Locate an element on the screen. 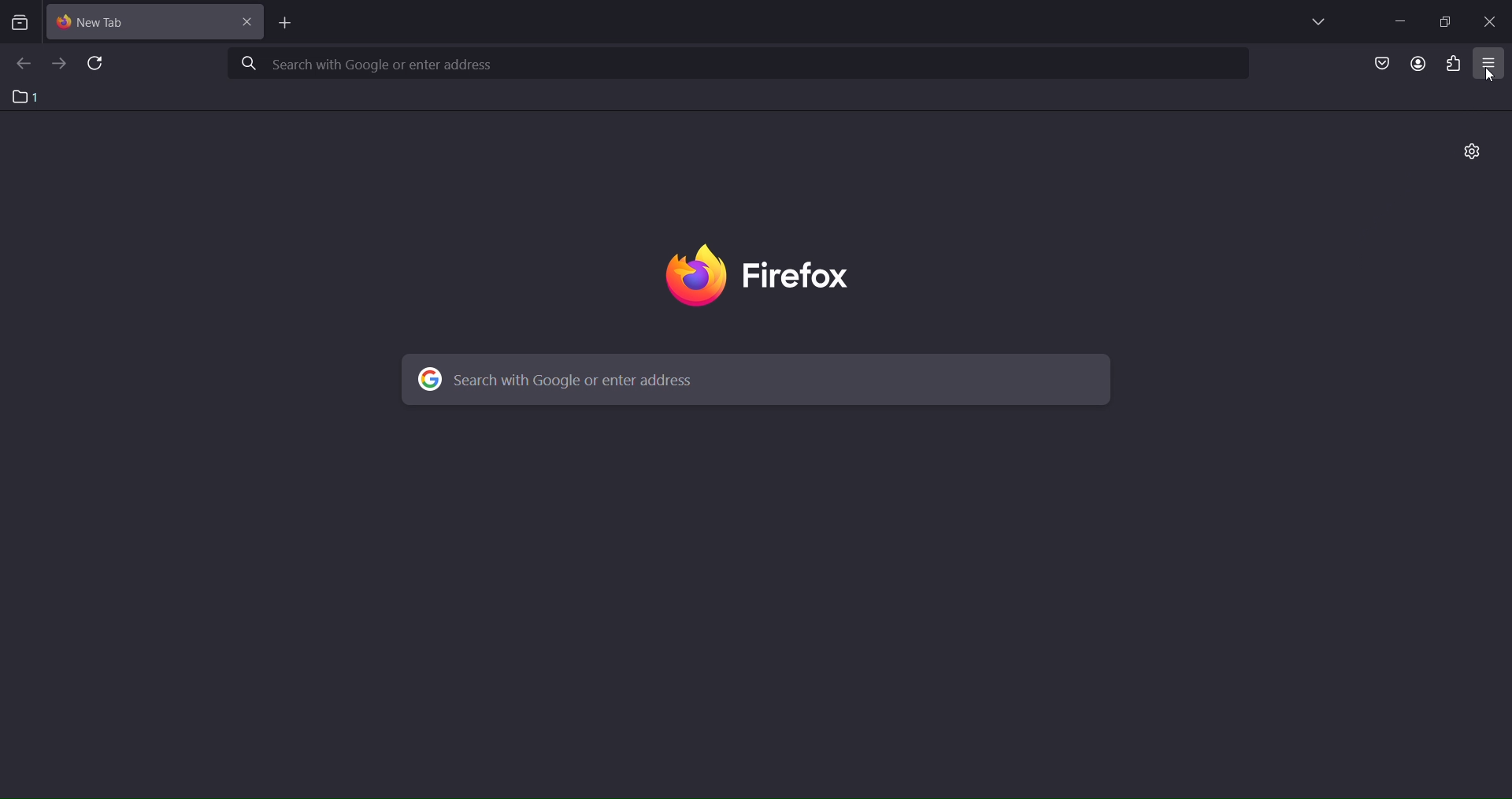 This screenshot has width=1512, height=799. extensions is located at coordinates (1454, 65).